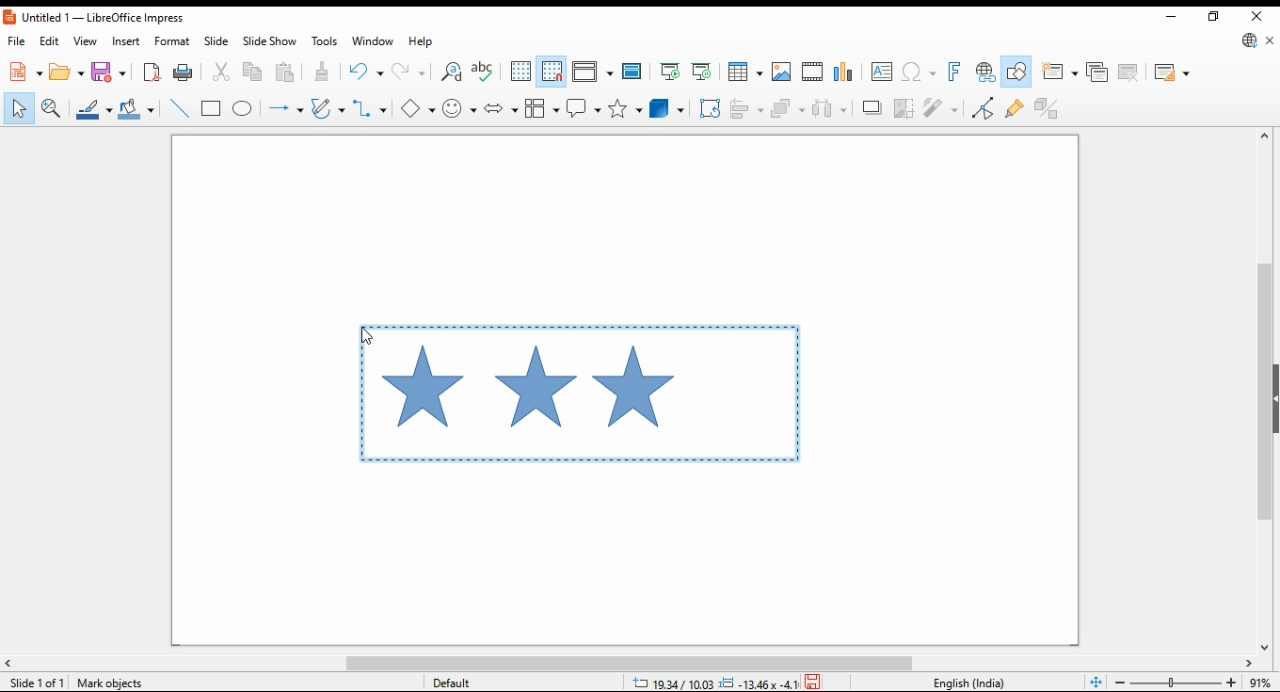 The height and width of the screenshot is (692, 1280). Describe the element at coordinates (1176, 681) in the screenshot. I see `zoom in/zoom out slider` at that location.